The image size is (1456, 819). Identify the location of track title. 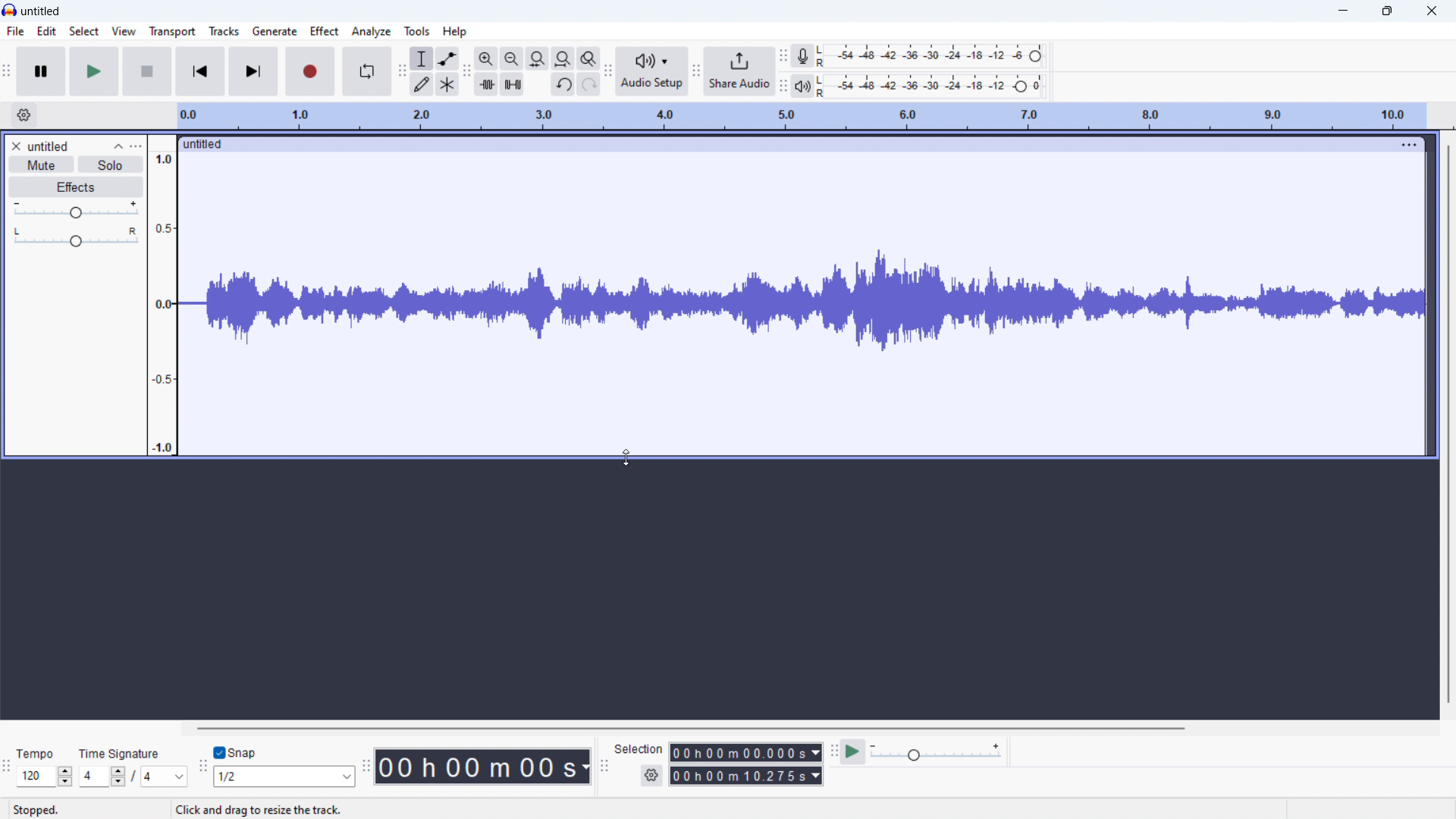
(49, 146).